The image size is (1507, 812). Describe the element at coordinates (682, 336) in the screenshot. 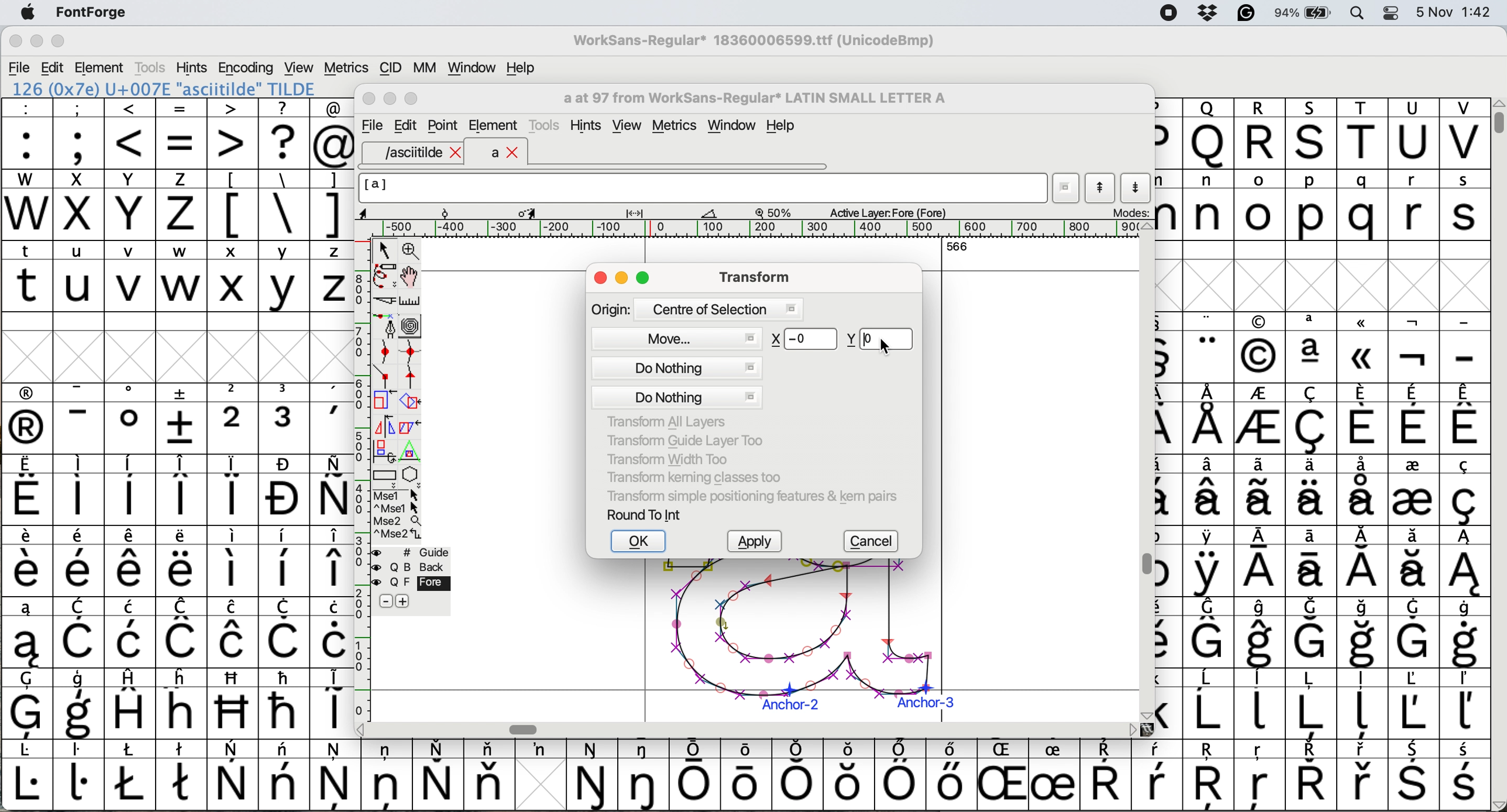

I see `move` at that location.